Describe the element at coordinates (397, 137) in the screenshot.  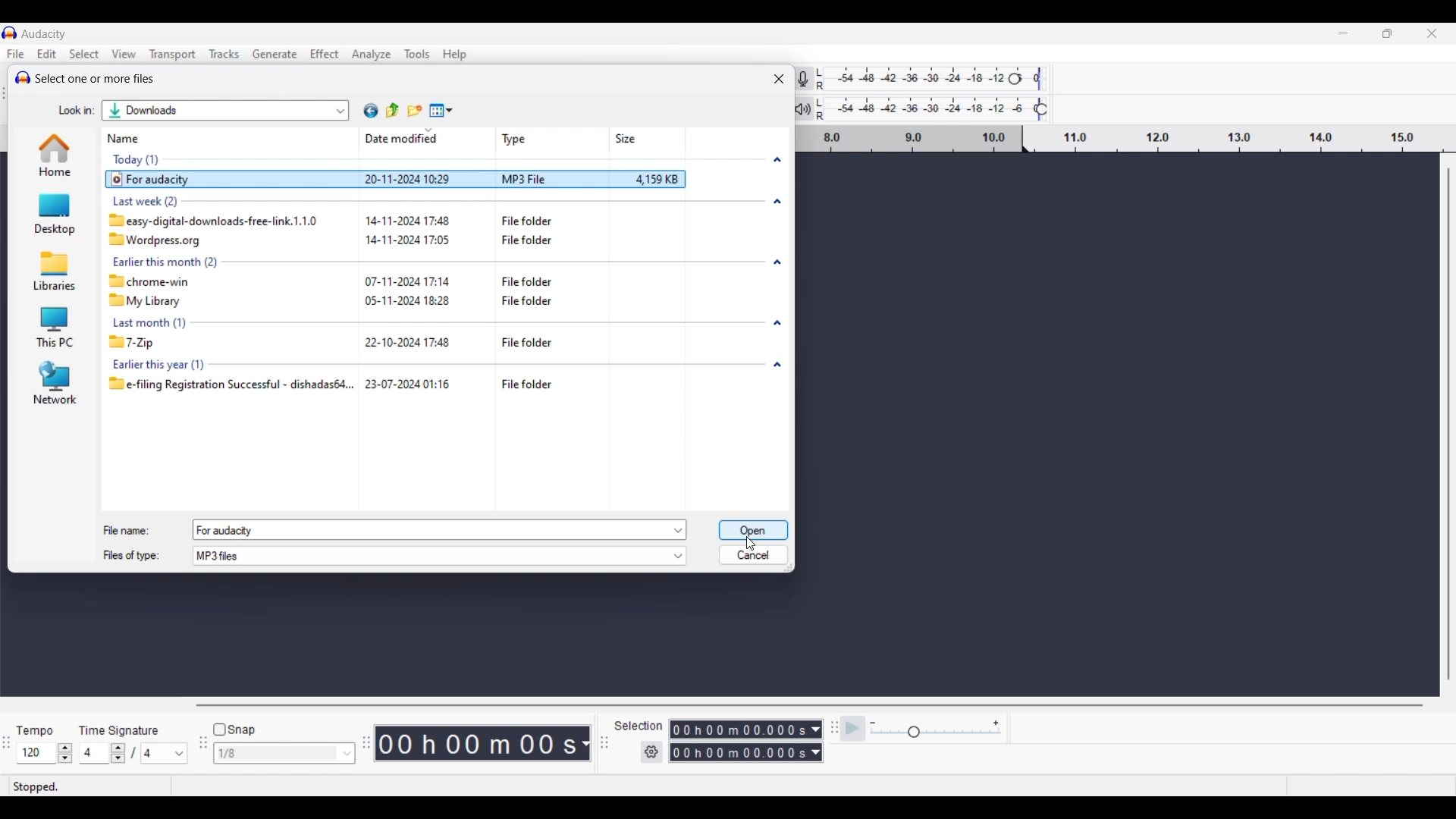
I see `Date modified` at that location.